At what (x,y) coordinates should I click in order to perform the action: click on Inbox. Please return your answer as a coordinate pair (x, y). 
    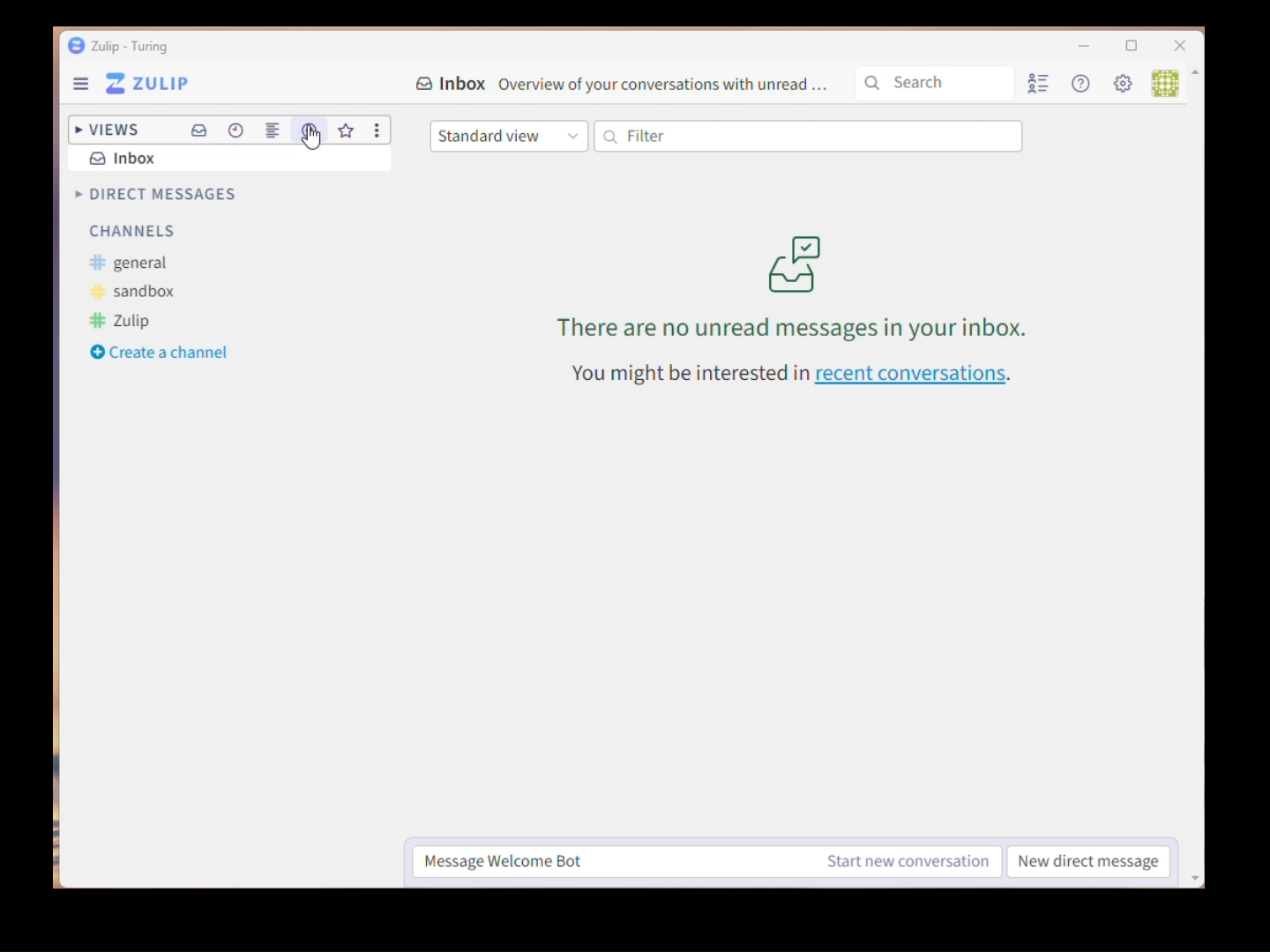
    Looking at the image, I should click on (624, 85).